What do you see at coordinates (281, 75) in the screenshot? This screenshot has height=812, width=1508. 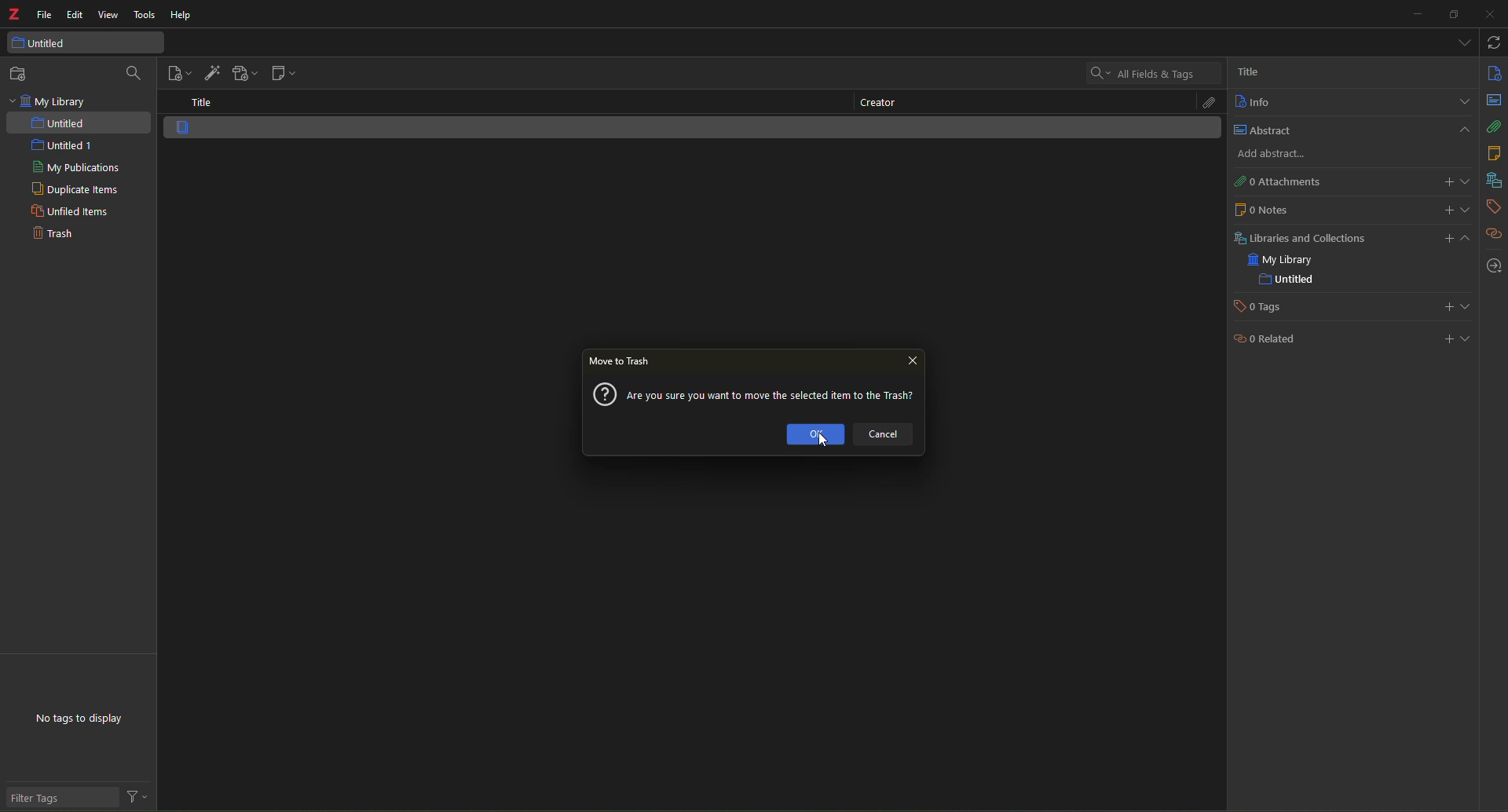 I see `new note` at bounding box center [281, 75].